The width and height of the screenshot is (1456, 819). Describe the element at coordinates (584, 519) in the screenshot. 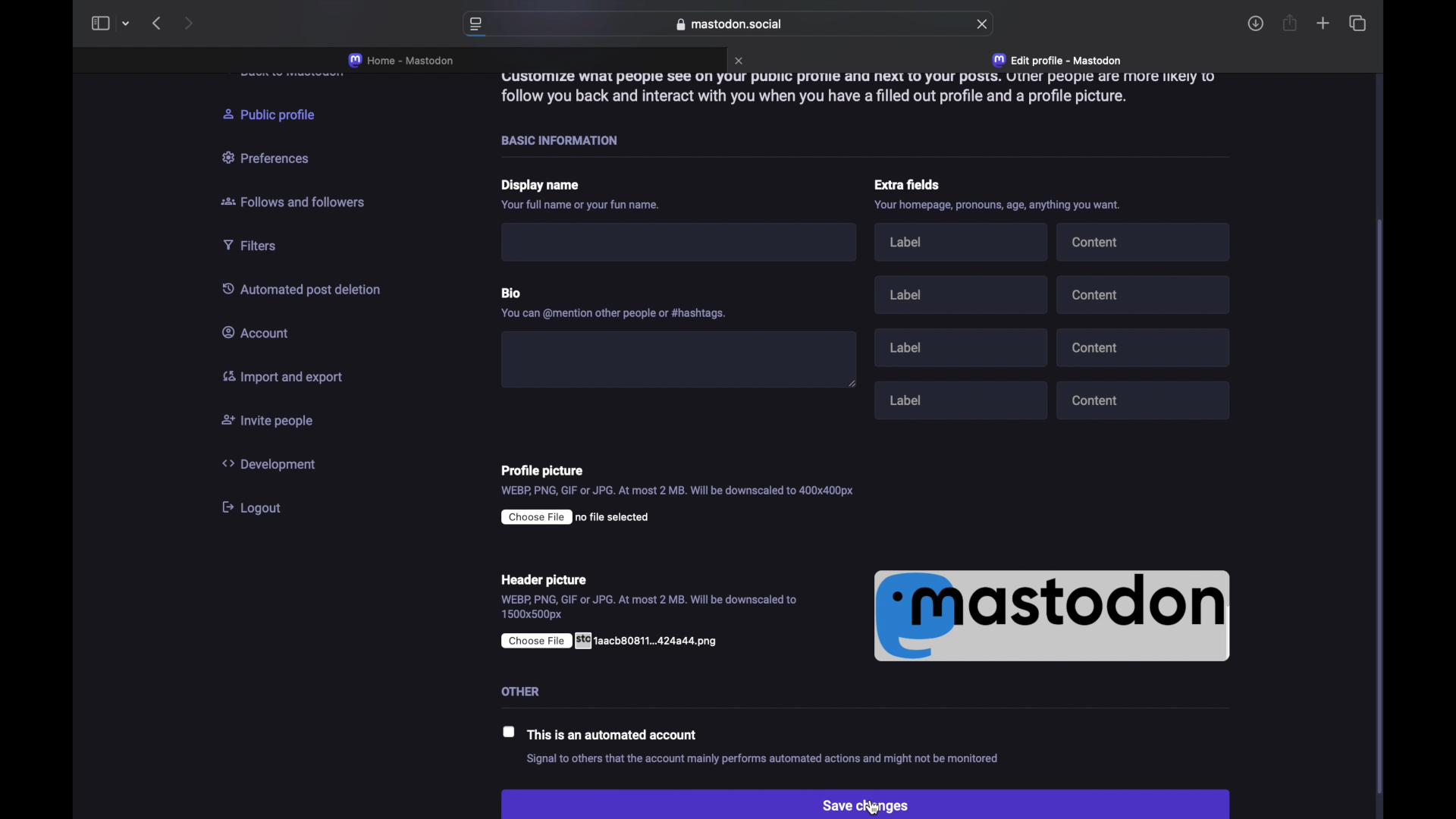

I see `choose fileno file selected` at that location.